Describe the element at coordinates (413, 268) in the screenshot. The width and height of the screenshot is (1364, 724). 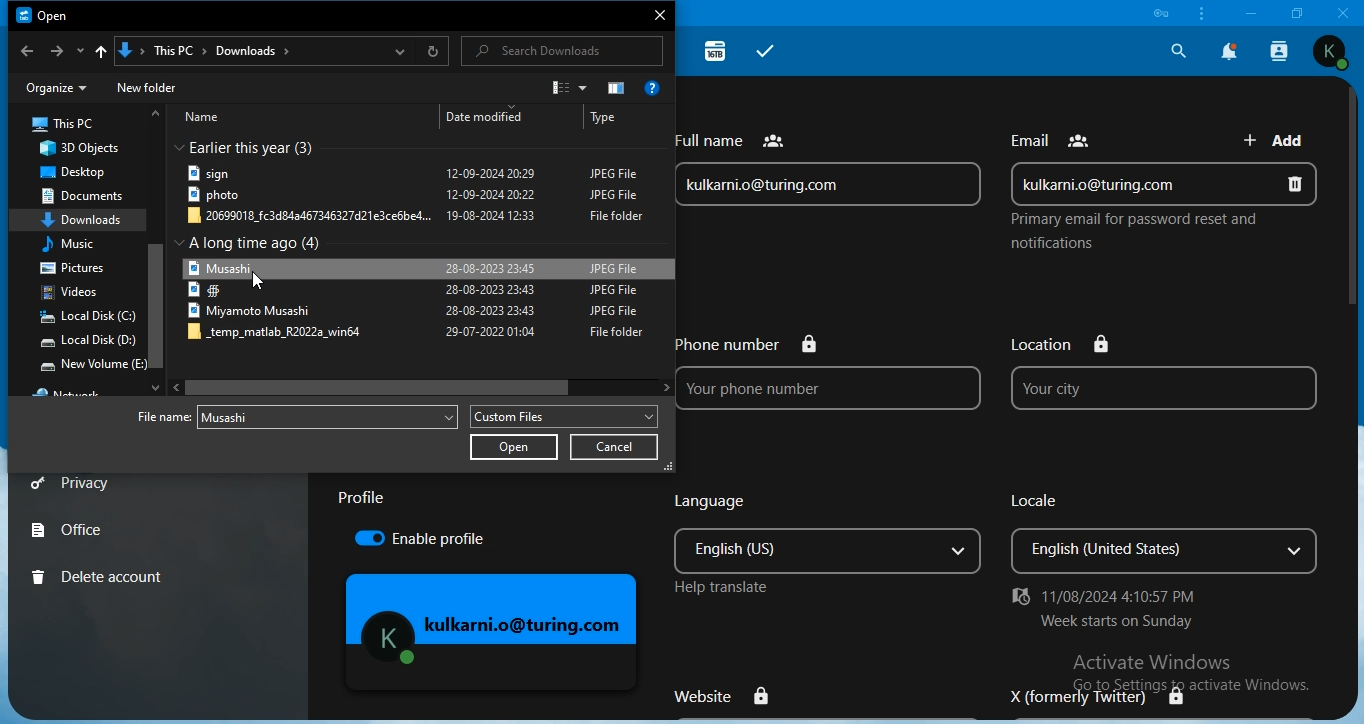
I see `file` at that location.